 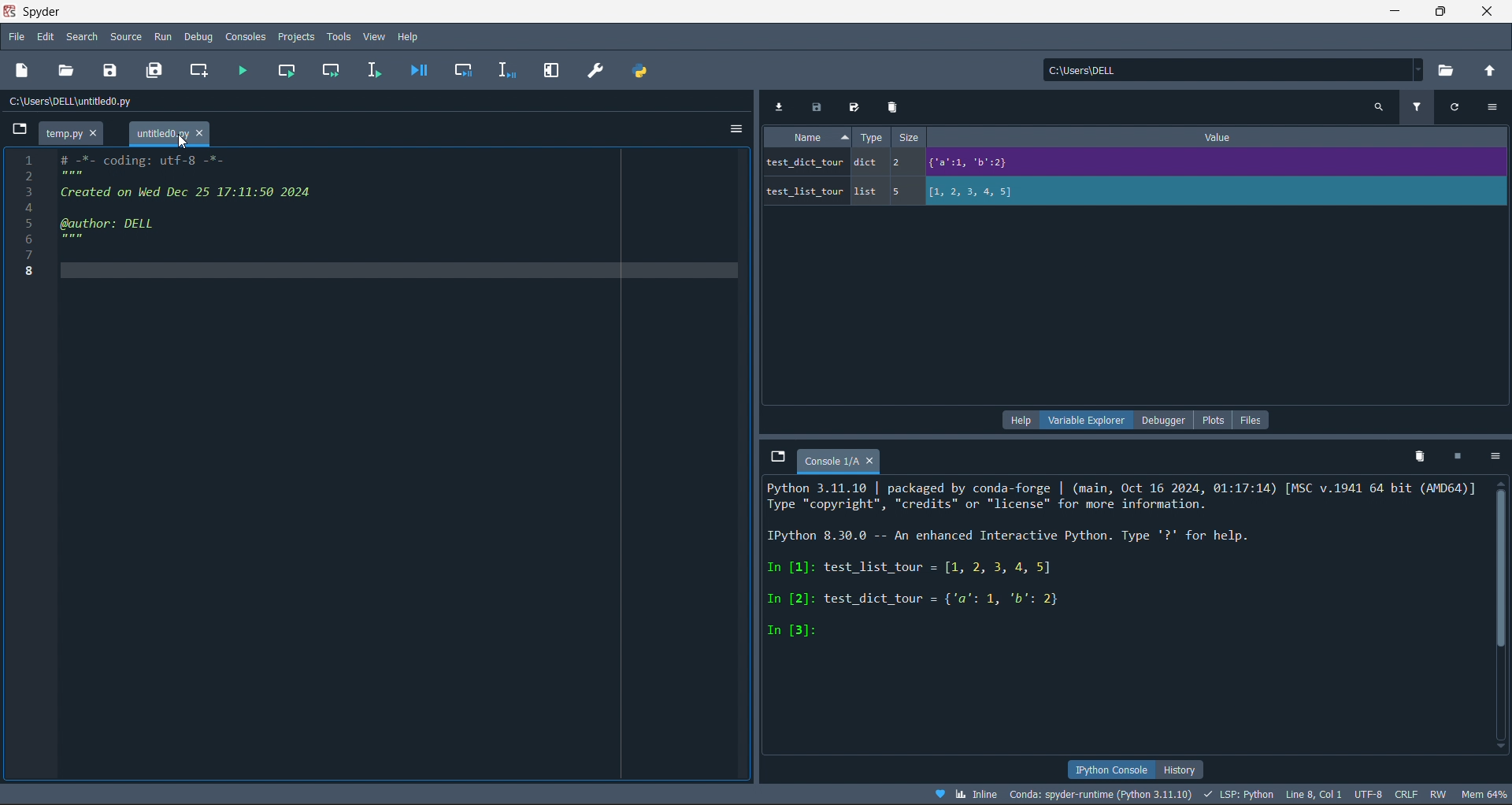 What do you see at coordinates (843, 462) in the screenshot?
I see `console A x` at bounding box center [843, 462].